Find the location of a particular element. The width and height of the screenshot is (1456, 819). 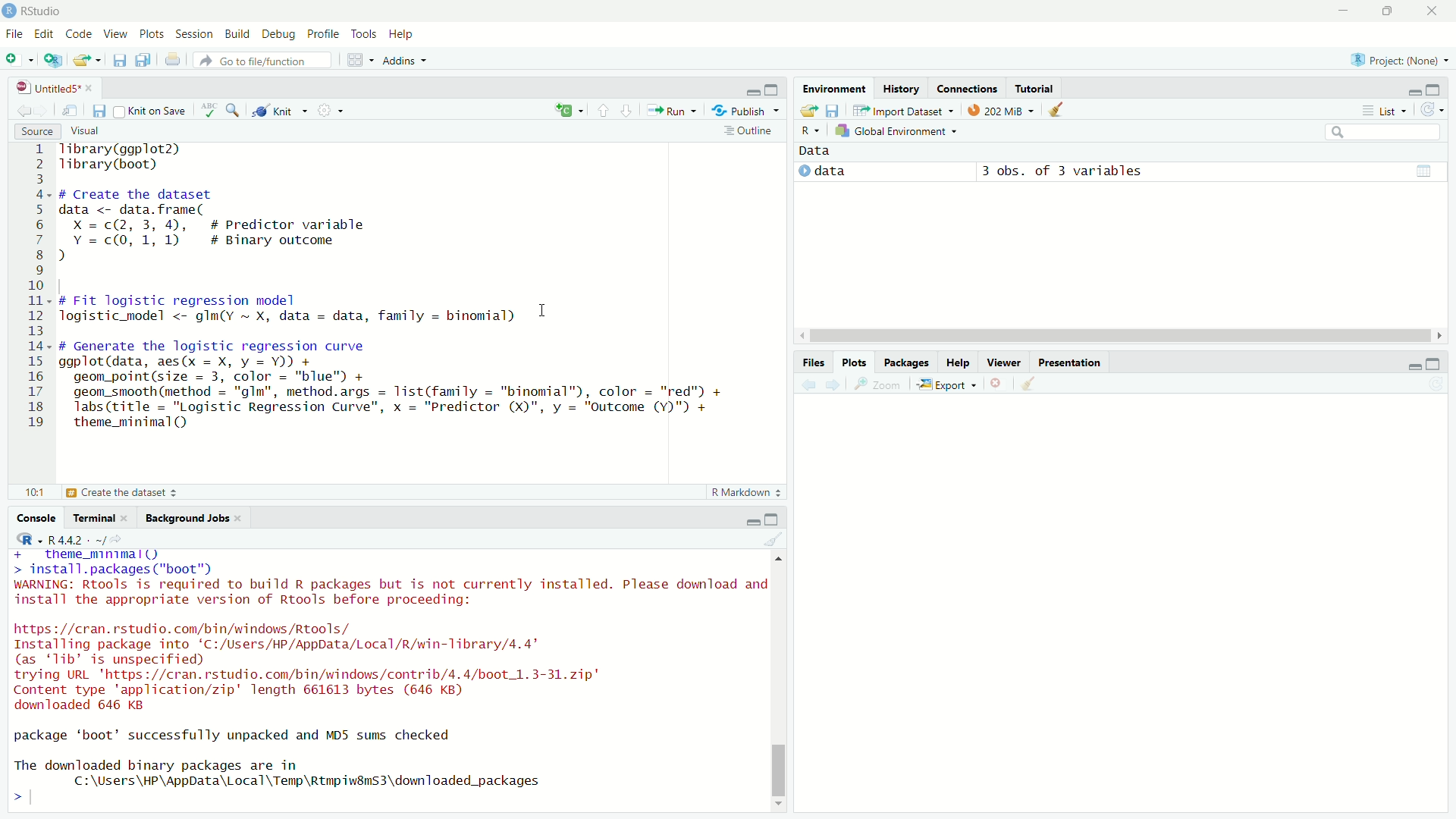

minimize is located at coordinates (1343, 11).